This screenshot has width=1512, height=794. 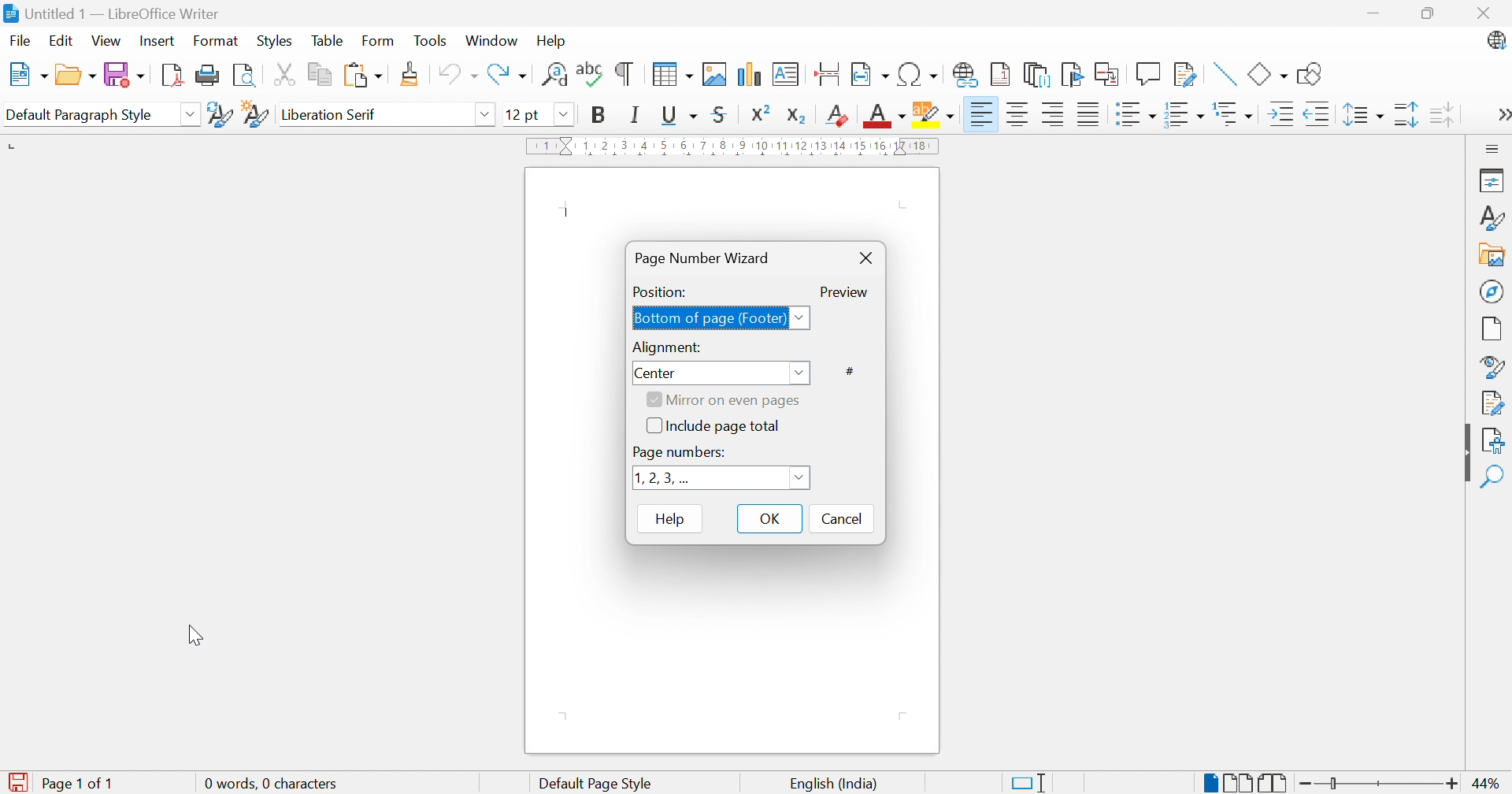 I want to click on Align left, so click(x=983, y=112).